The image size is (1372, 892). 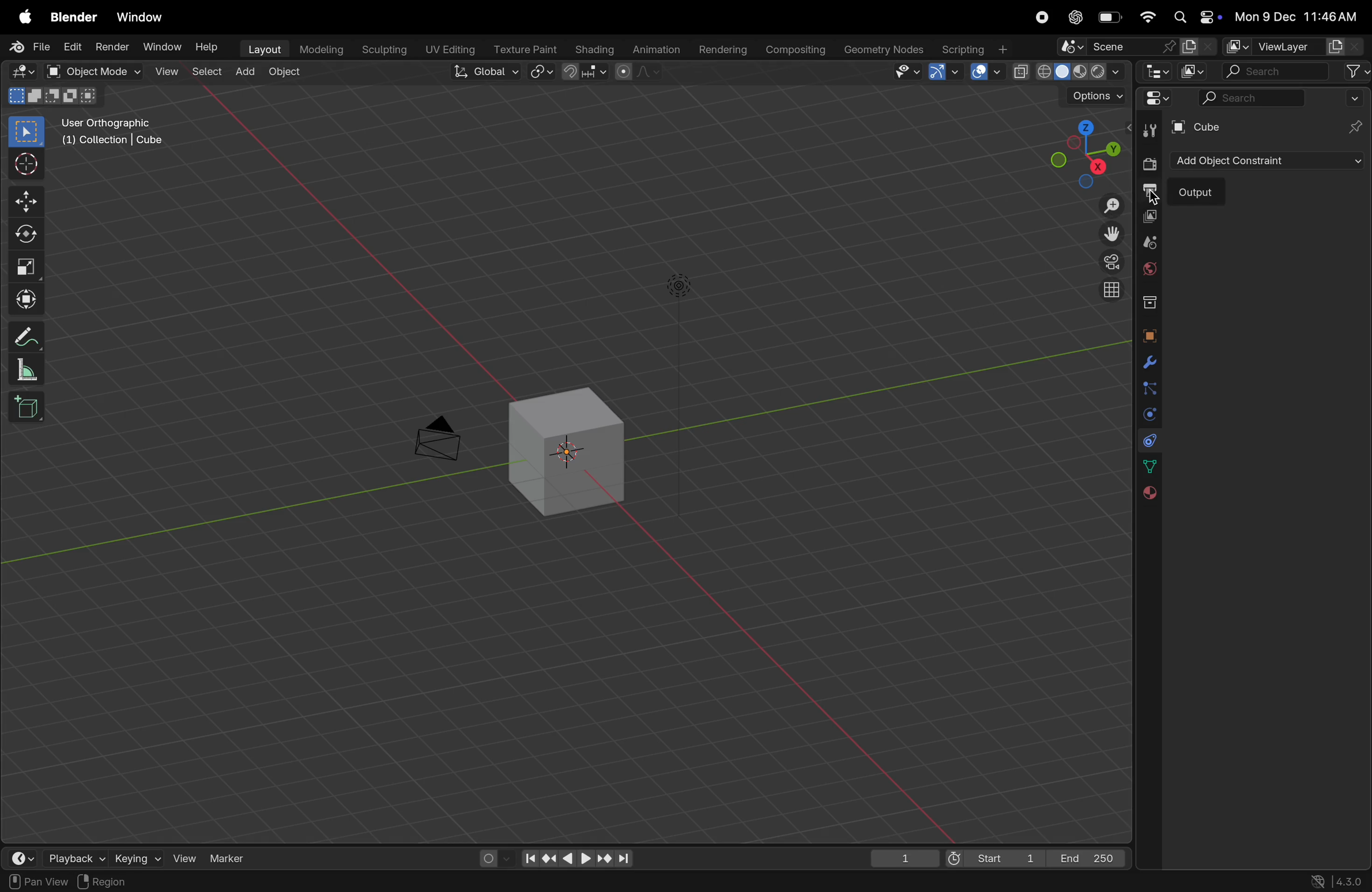 I want to click on , so click(x=485, y=73).